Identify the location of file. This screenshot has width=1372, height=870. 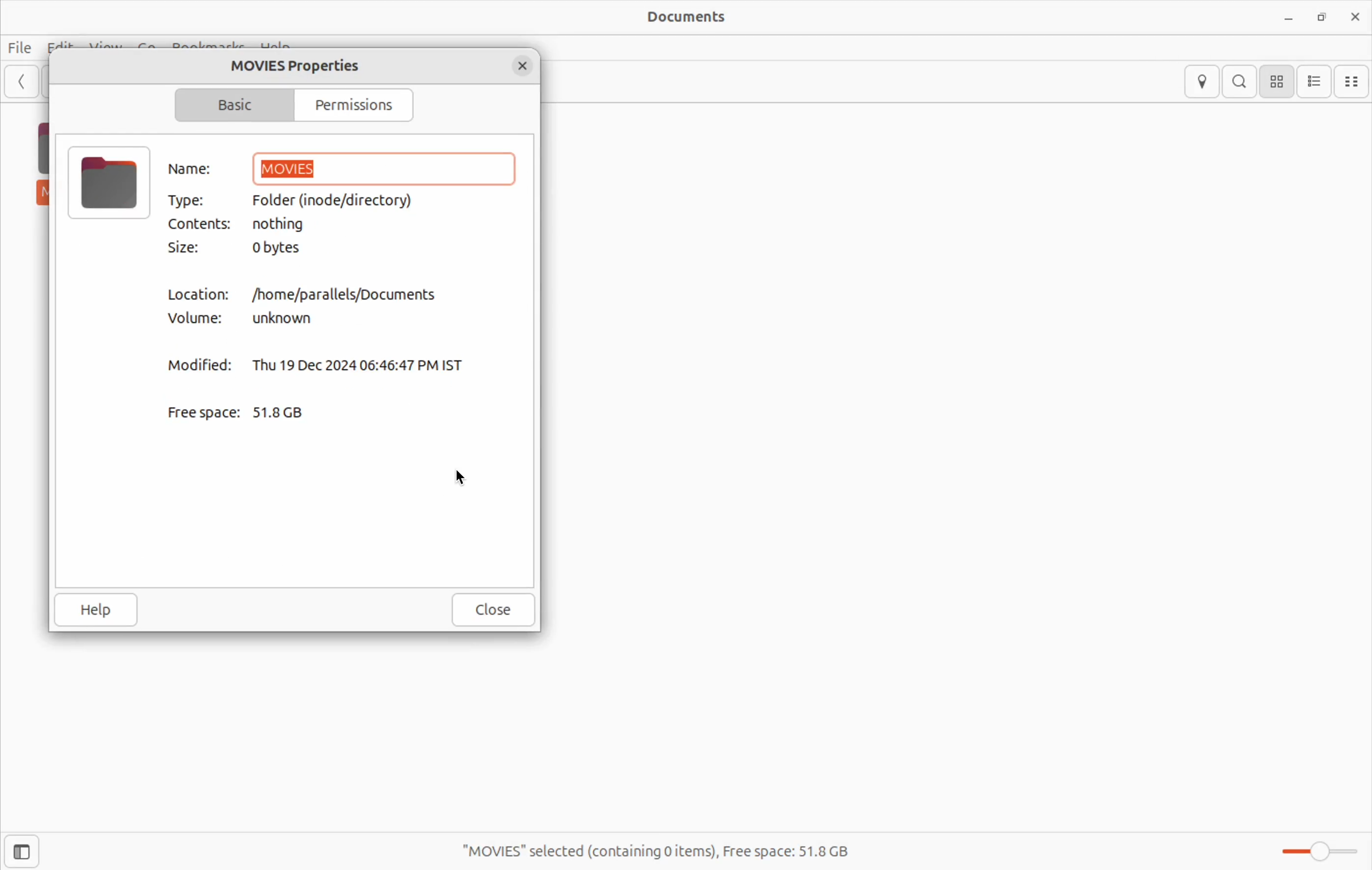
(109, 183).